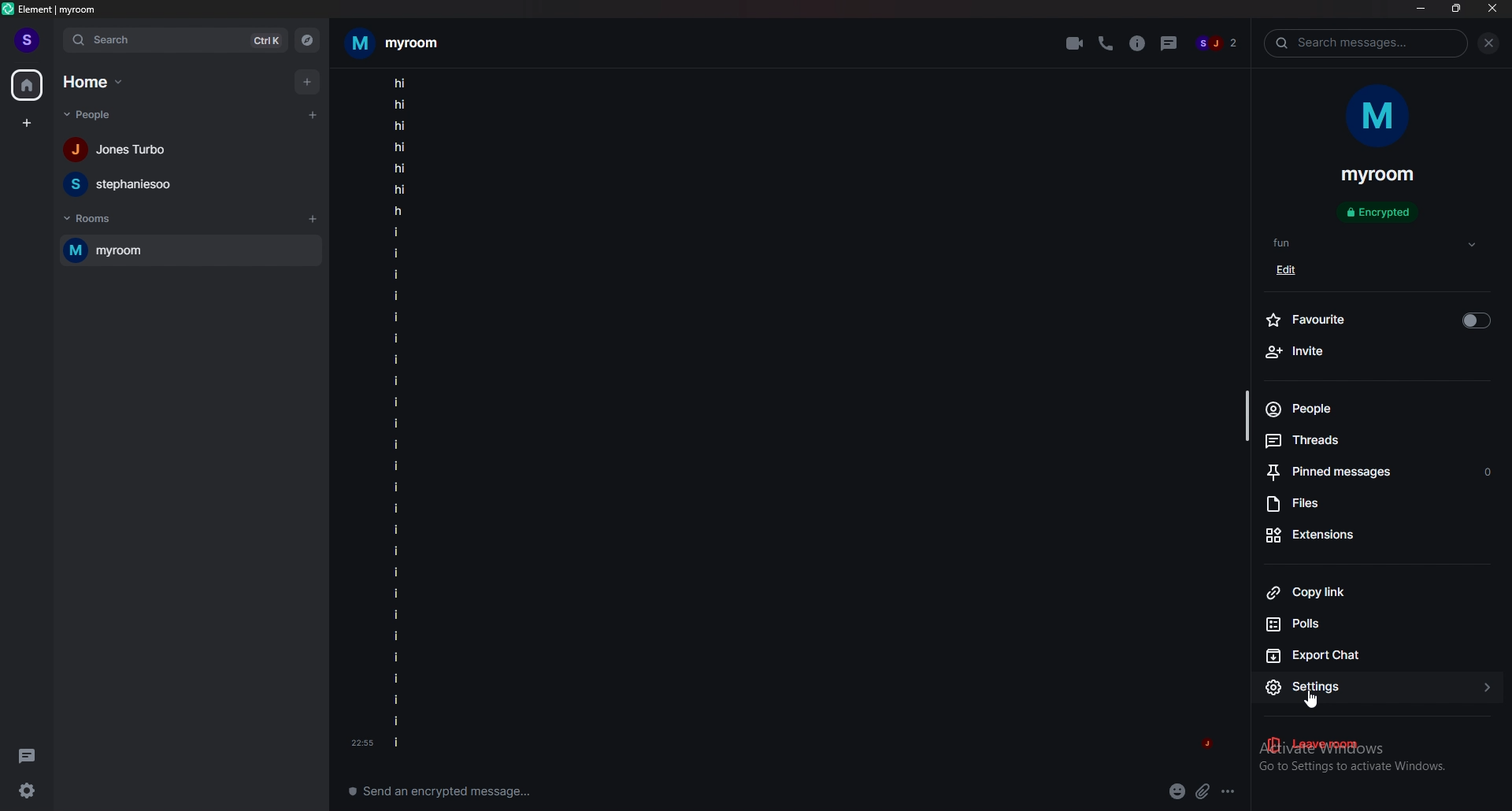  Describe the element at coordinates (314, 114) in the screenshot. I see `start chat` at that location.